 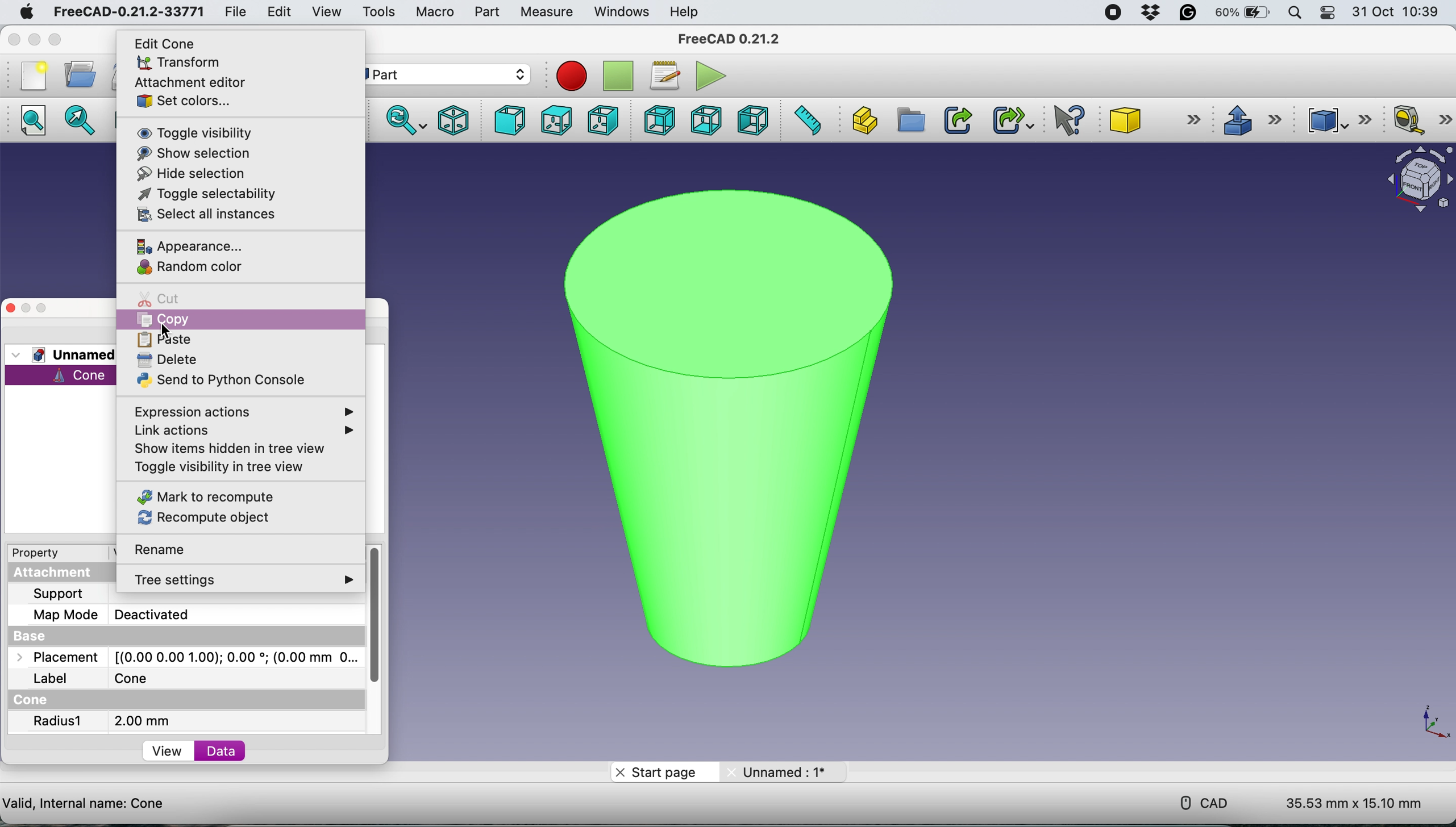 What do you see at coordinates (1242, 14) in the screenshot?
I see `60%` at bounding box center [1242, 14].